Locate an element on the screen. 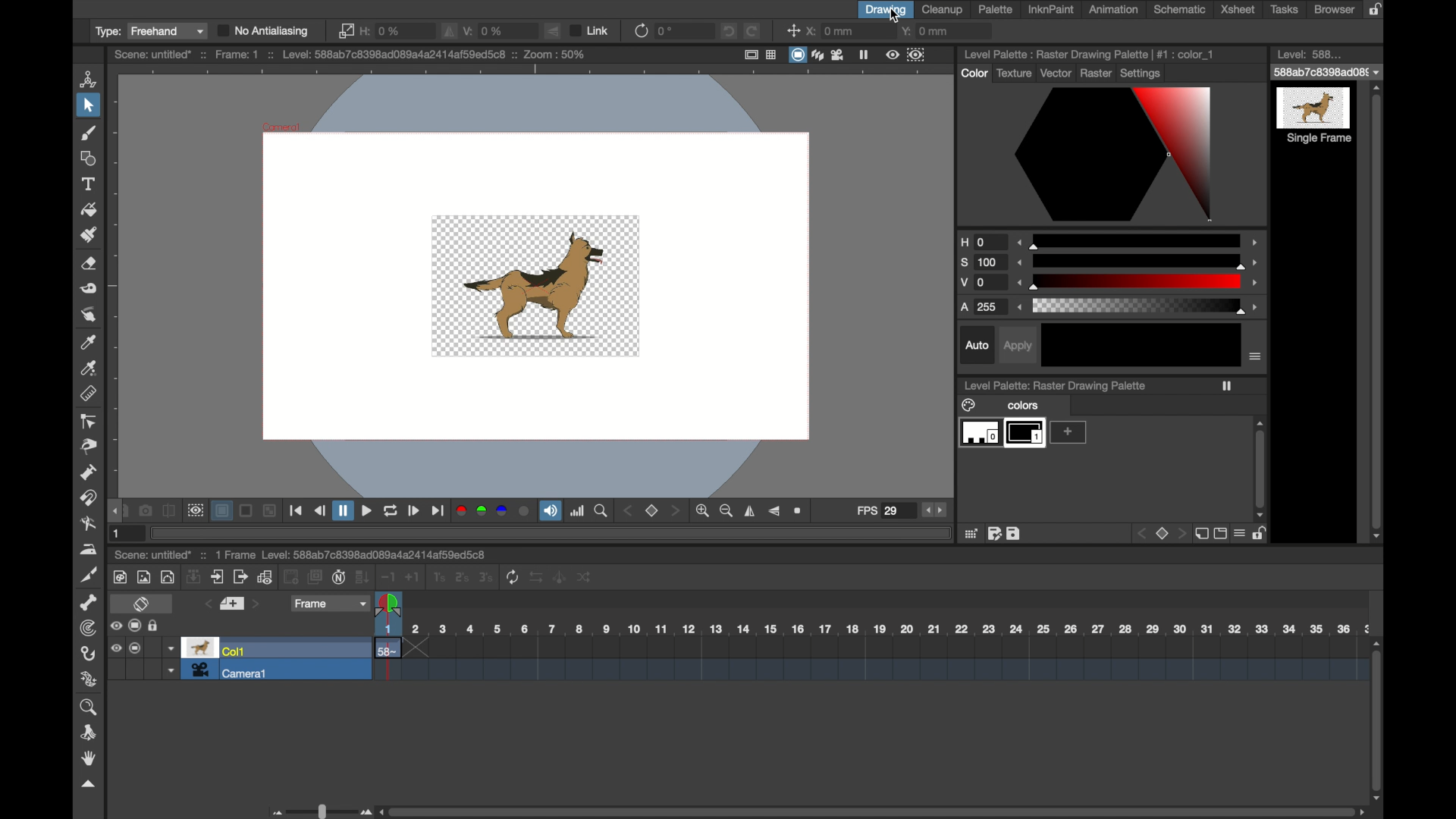  snapshot is located at coordinates (146, 511).